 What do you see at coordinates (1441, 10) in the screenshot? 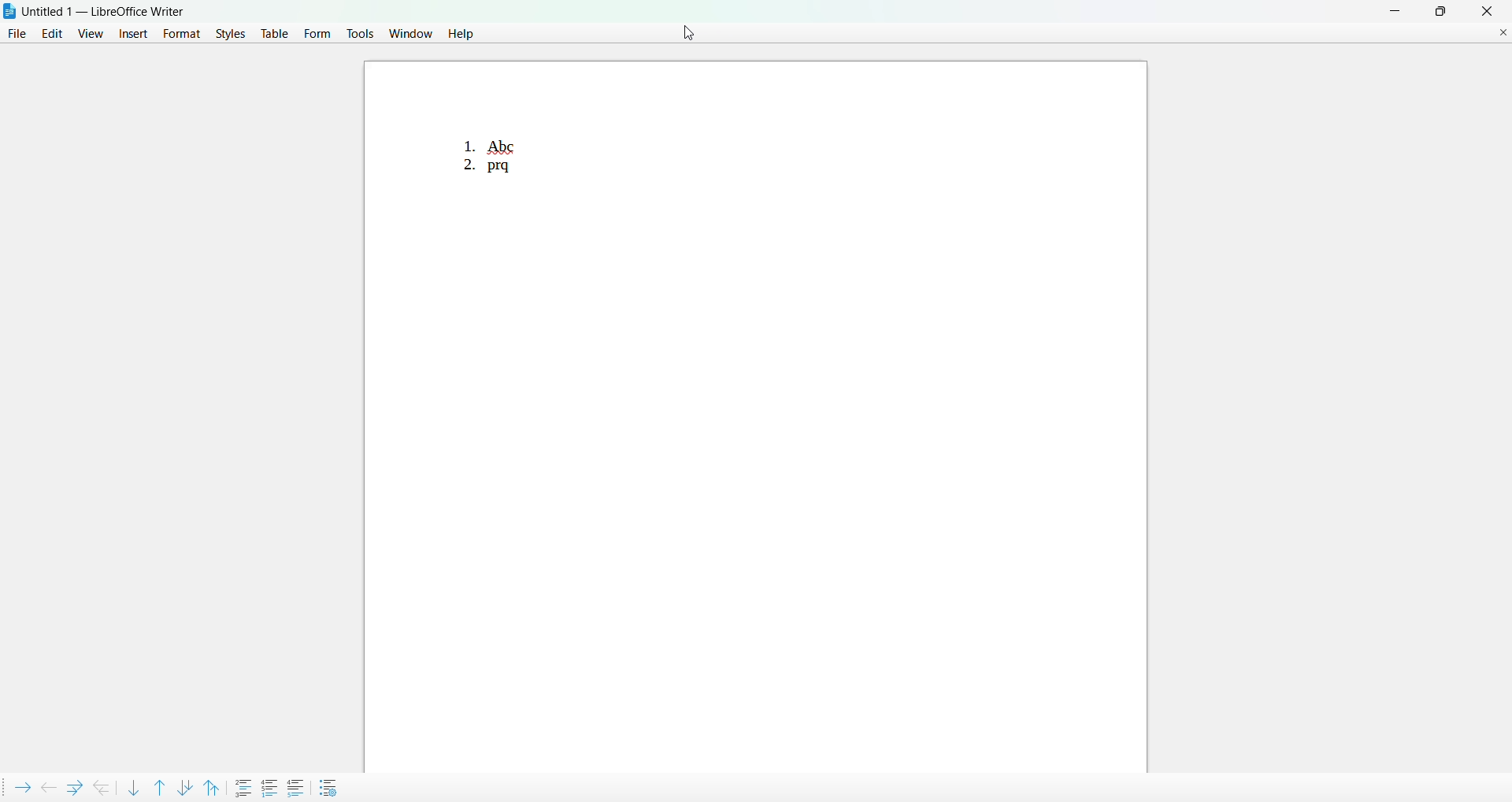
I see `maximum` at bounding box center [1441, 10].